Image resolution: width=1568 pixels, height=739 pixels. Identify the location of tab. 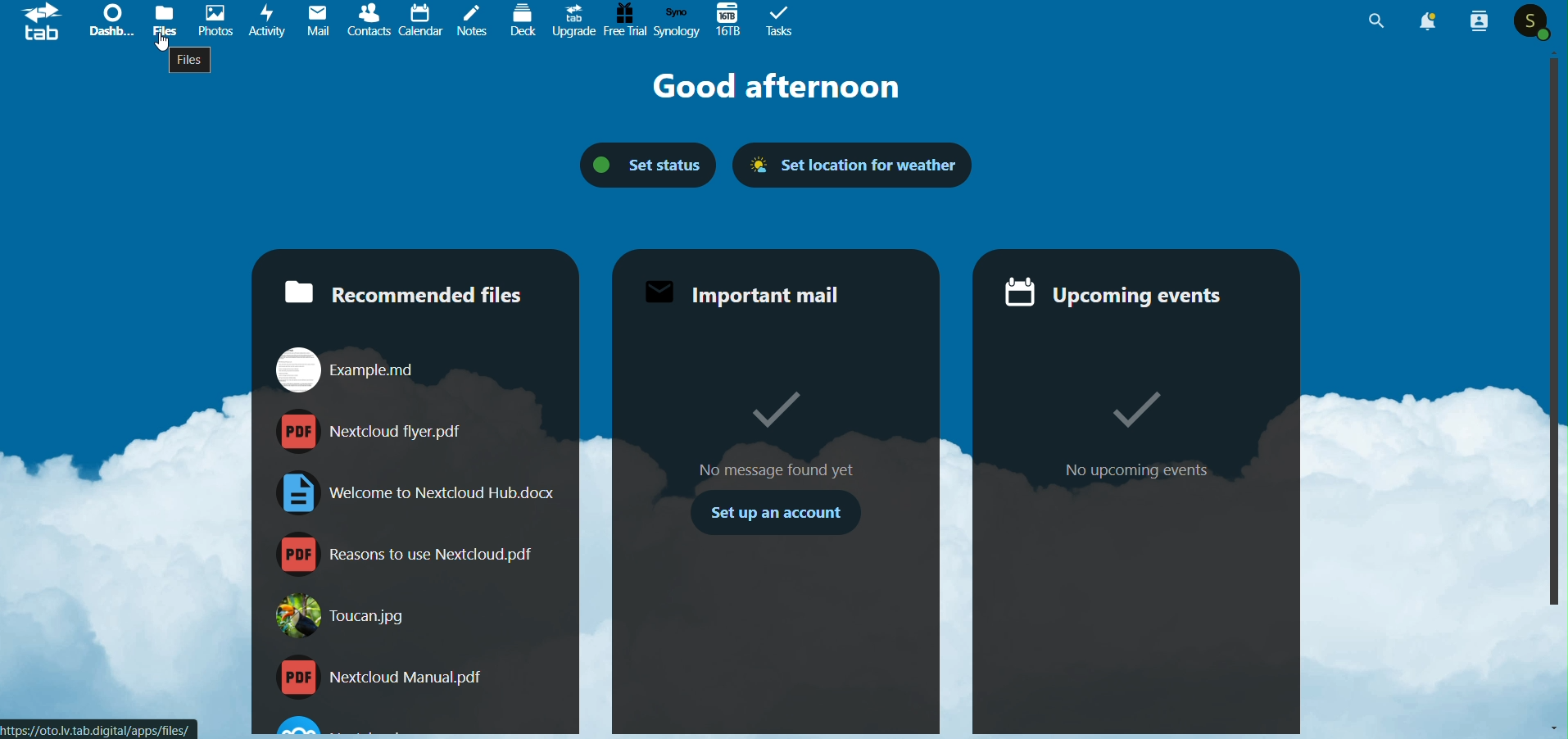
(41, 23).